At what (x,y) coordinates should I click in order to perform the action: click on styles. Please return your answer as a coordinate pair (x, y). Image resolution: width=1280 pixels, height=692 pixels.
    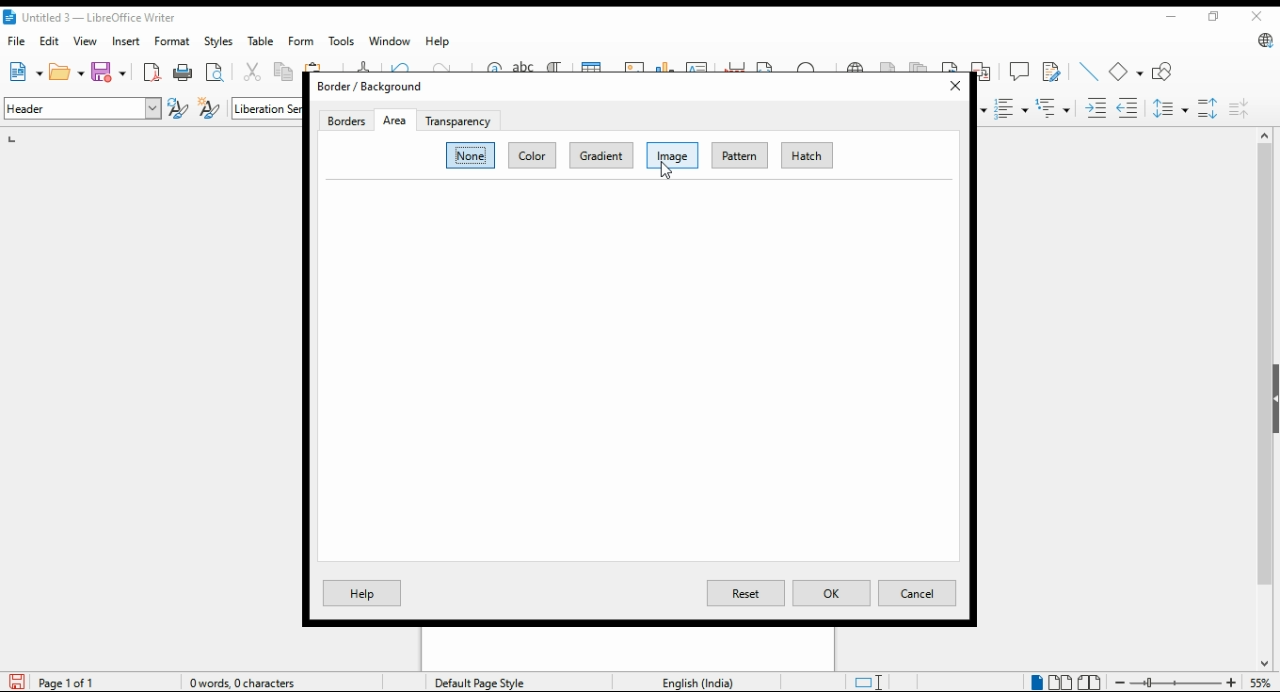
    Looking at the image, I should click on (217, 42).